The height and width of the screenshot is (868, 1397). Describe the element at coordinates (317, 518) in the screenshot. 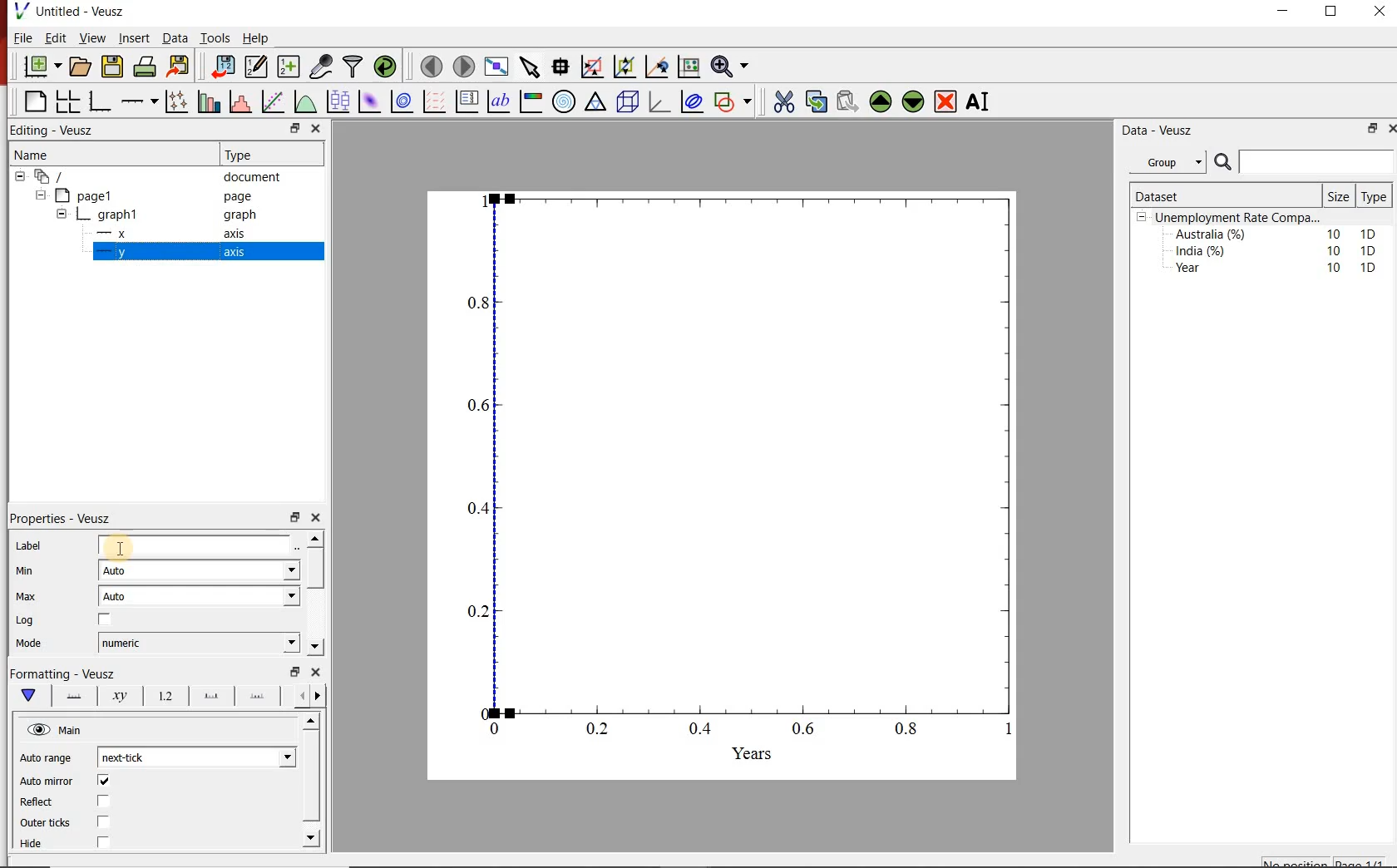

I see `close` at that location.